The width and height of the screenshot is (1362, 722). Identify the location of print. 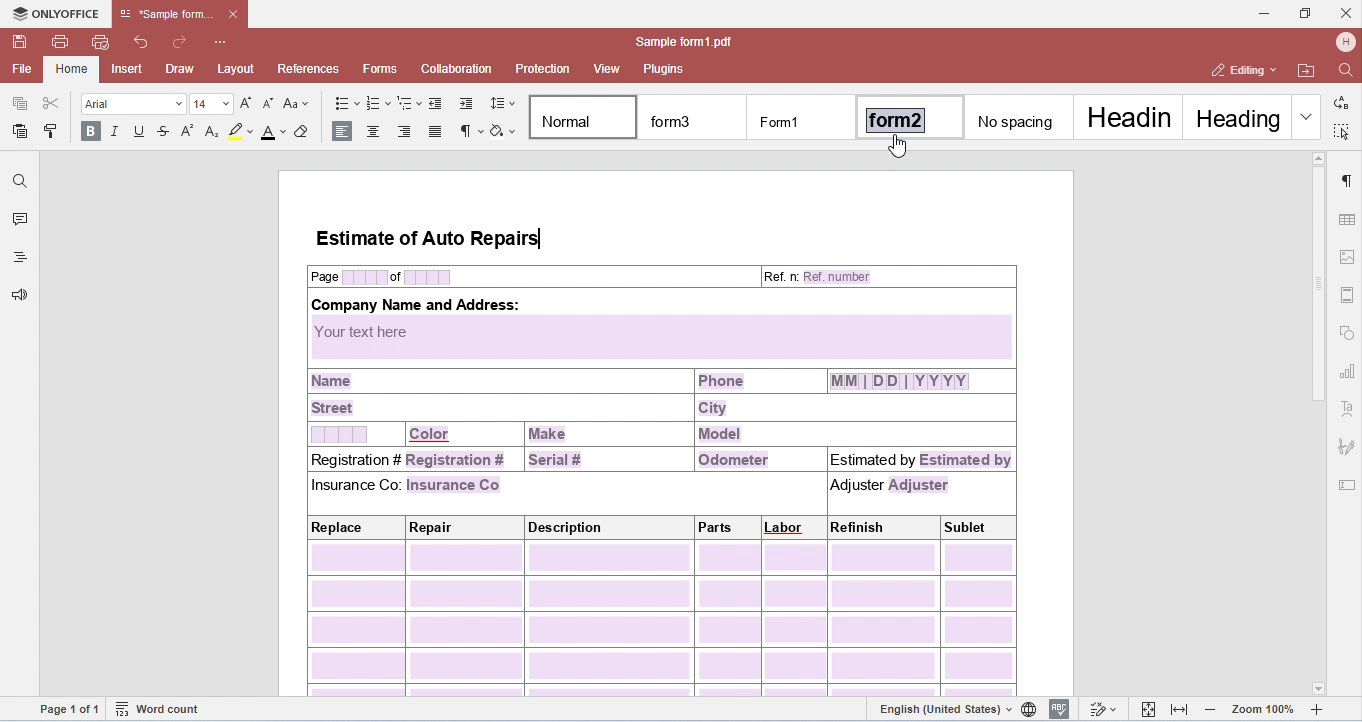
(62, 41).